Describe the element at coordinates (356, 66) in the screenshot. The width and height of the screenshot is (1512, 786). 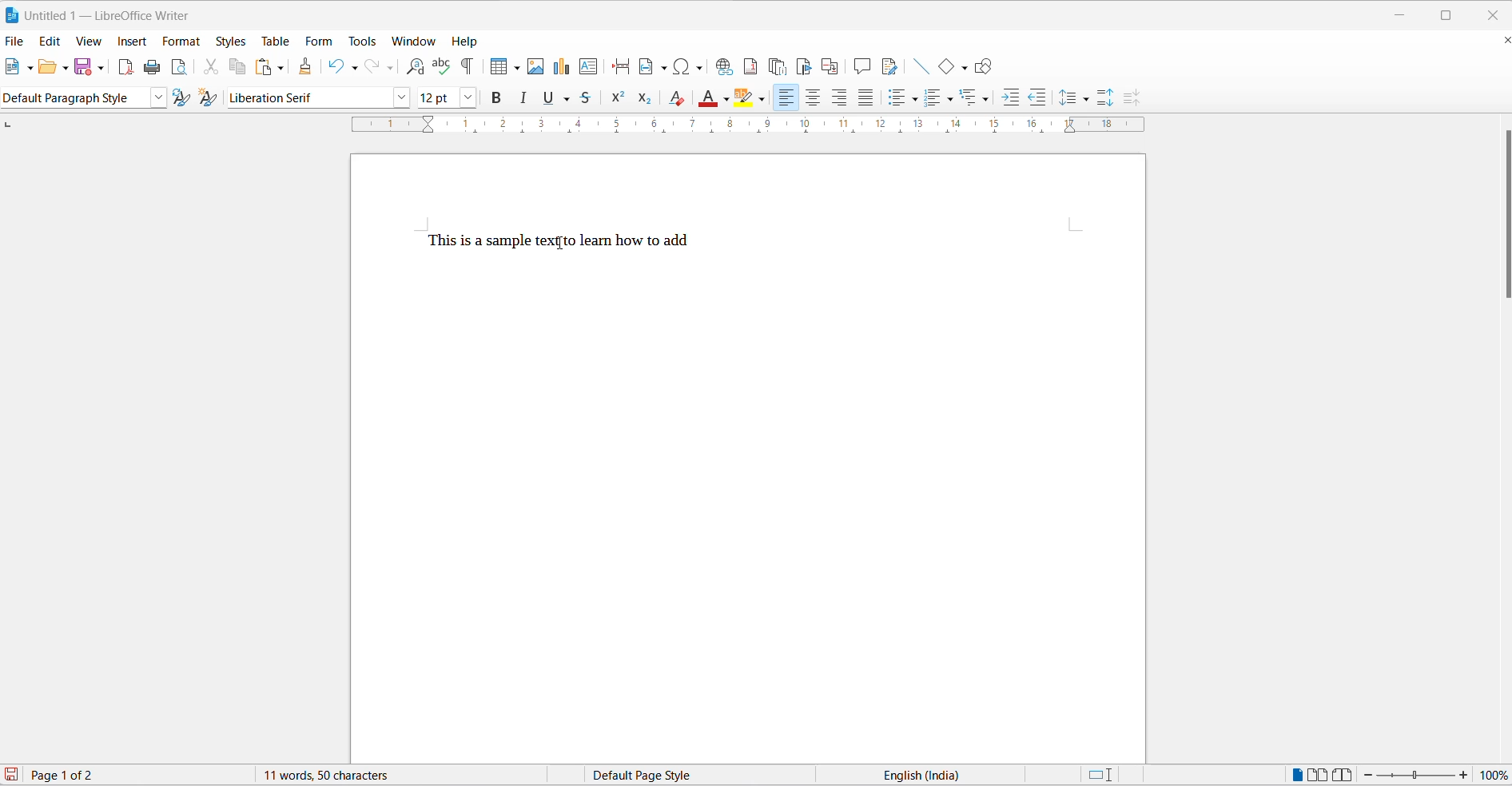
I see `undo options` at that location.